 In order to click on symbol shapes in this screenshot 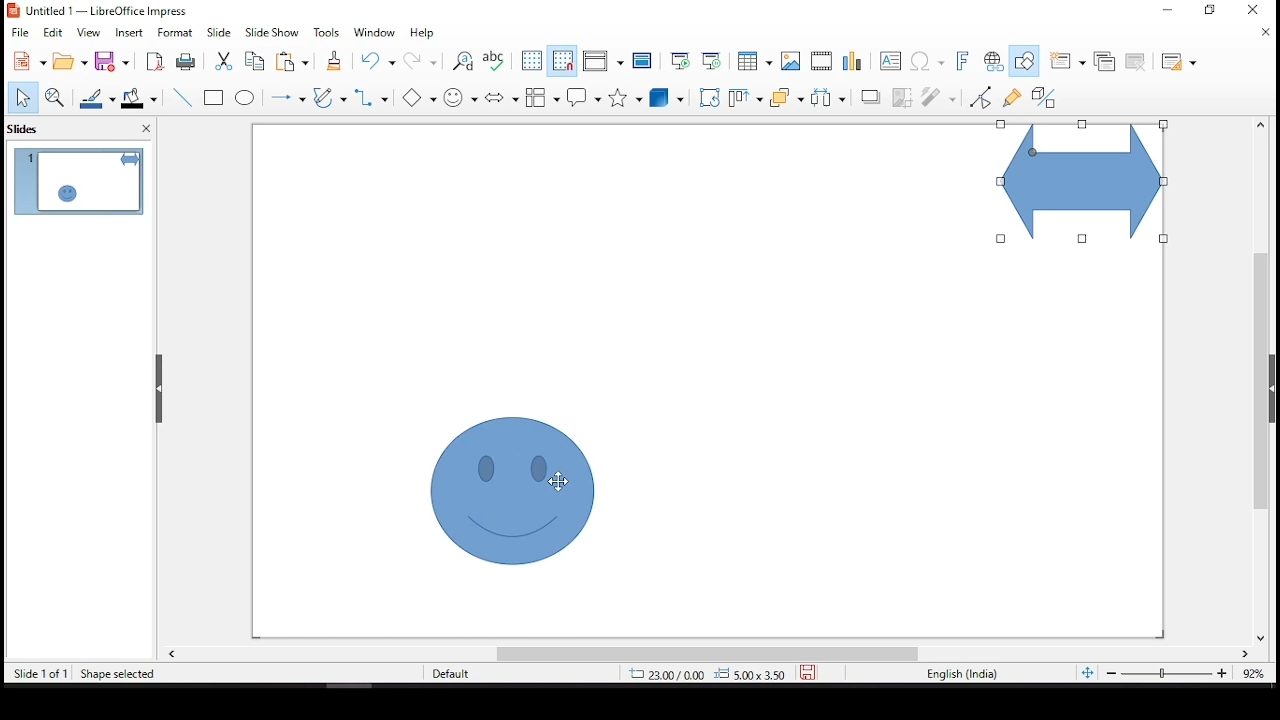, I will do `click(463, 96)`.